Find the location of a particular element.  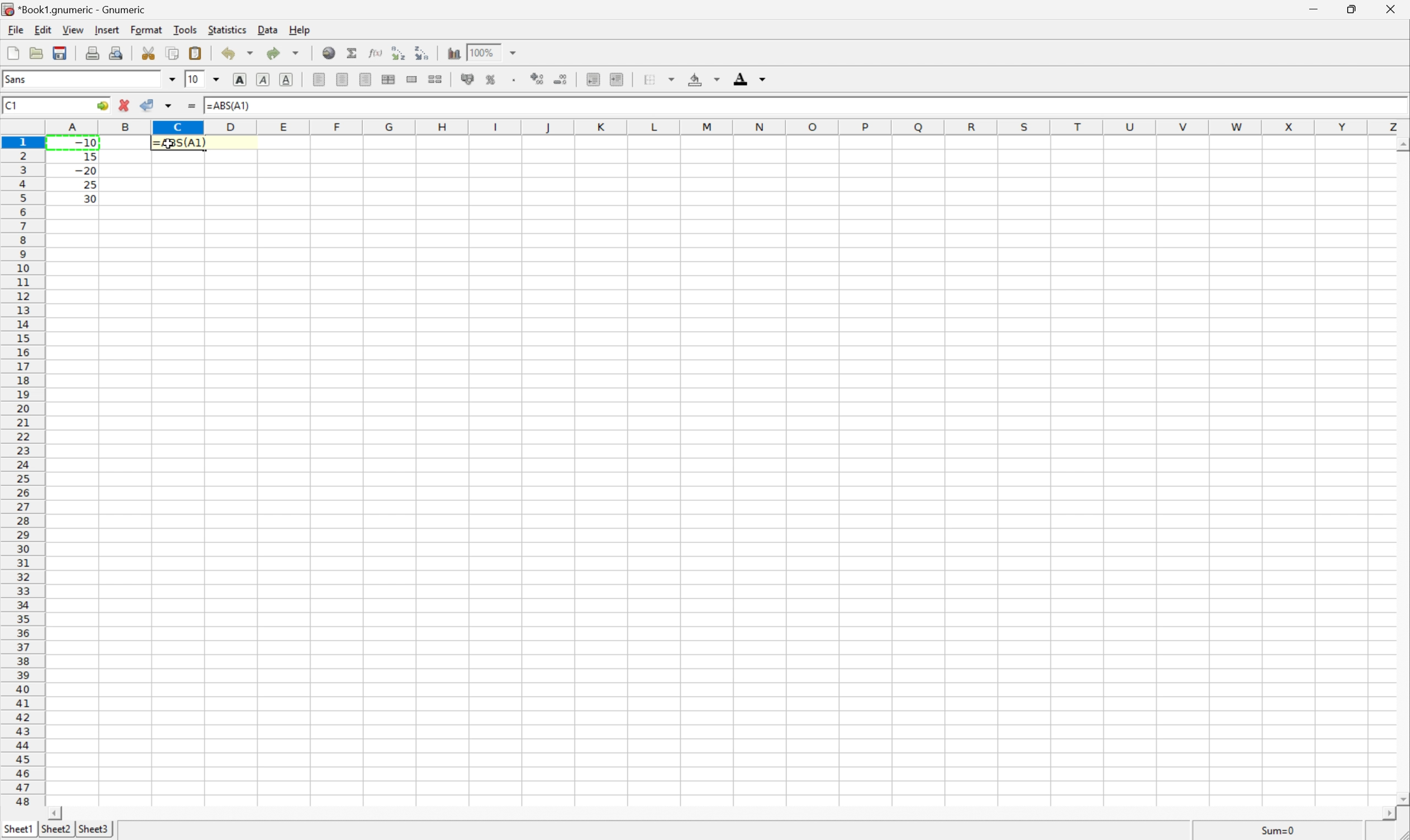

Background is located at coordinates (695, 80).